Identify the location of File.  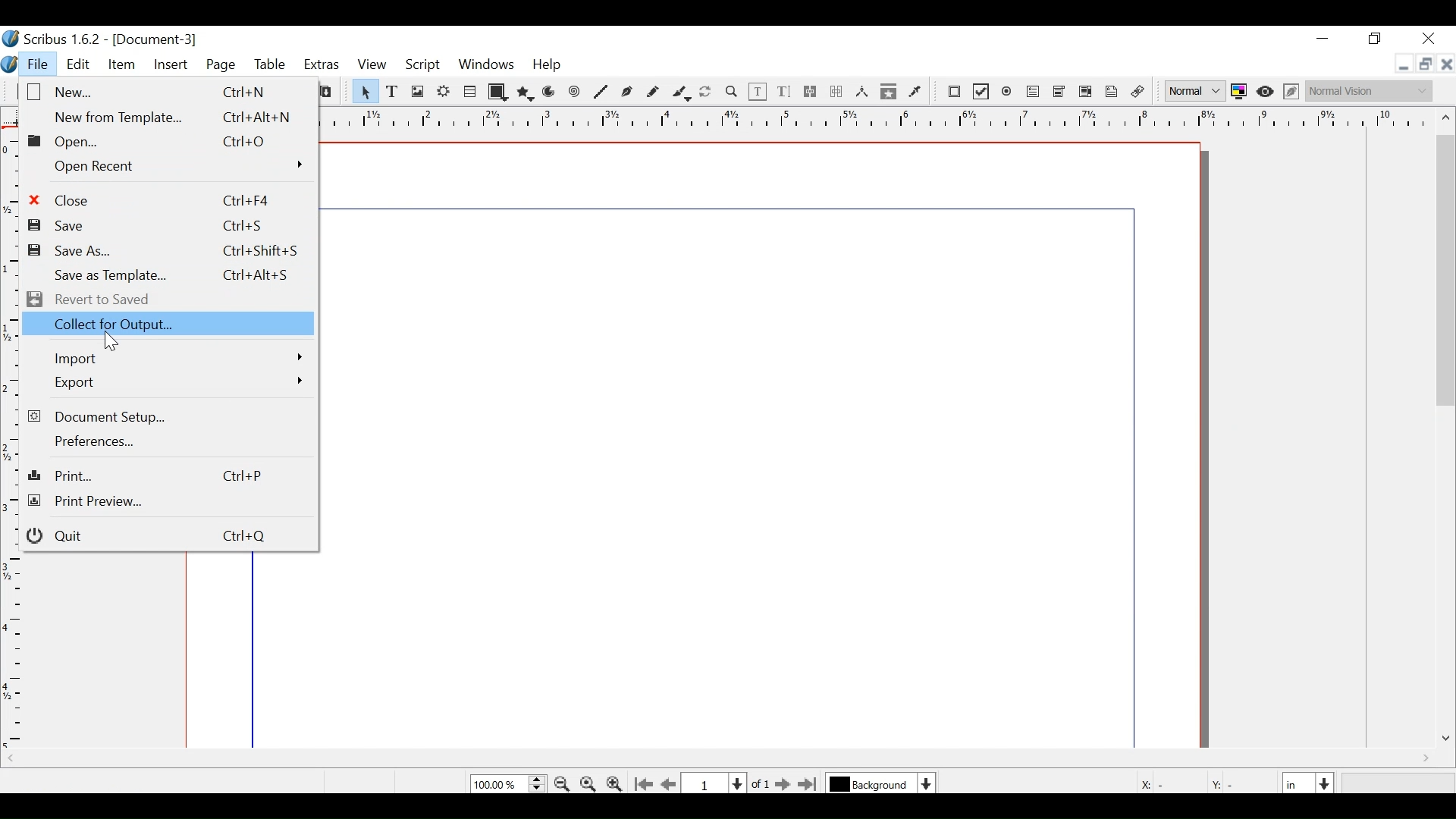
(37, 66).